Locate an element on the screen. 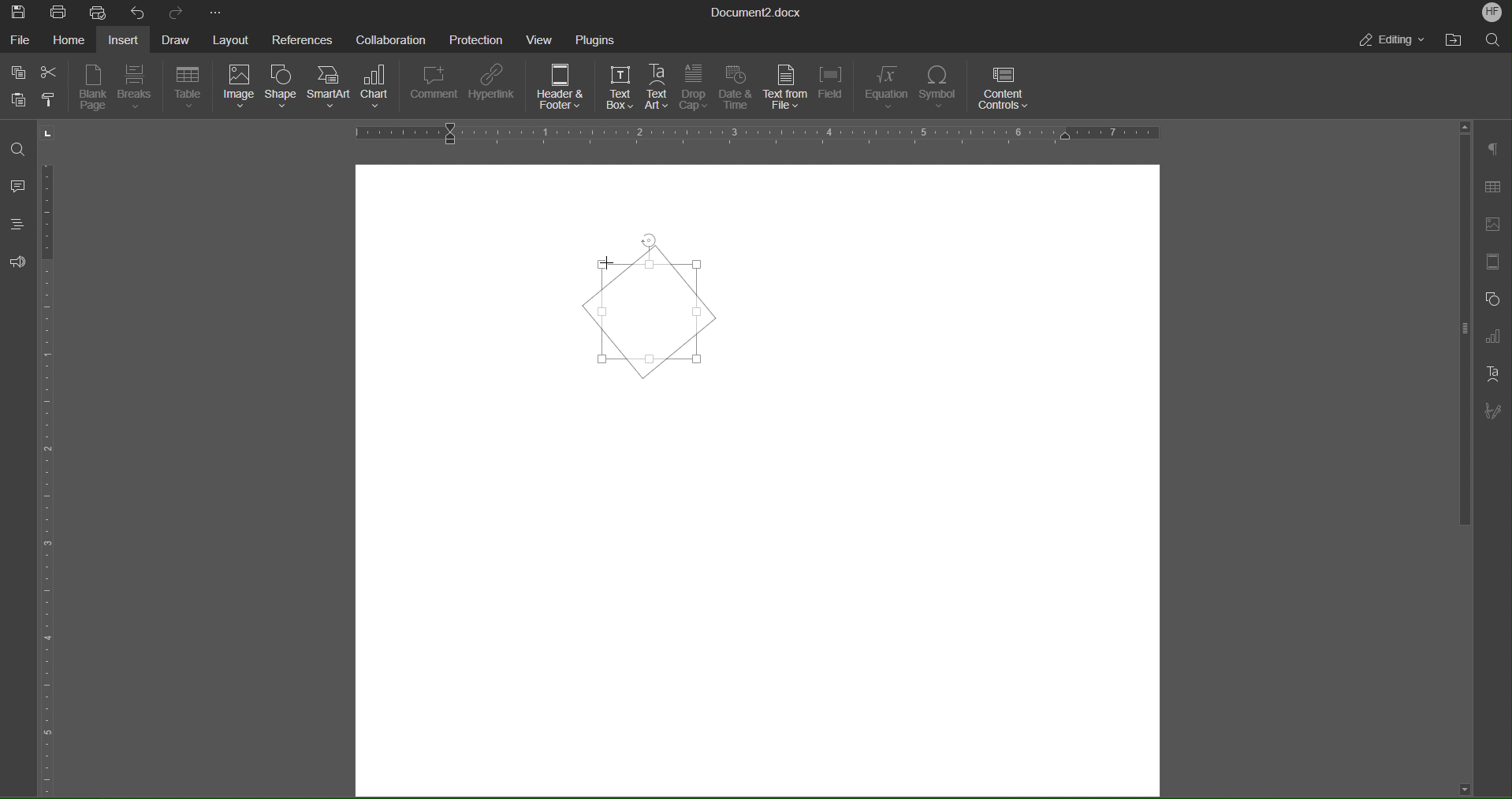  Graph is located at coordinates (1492, 336).